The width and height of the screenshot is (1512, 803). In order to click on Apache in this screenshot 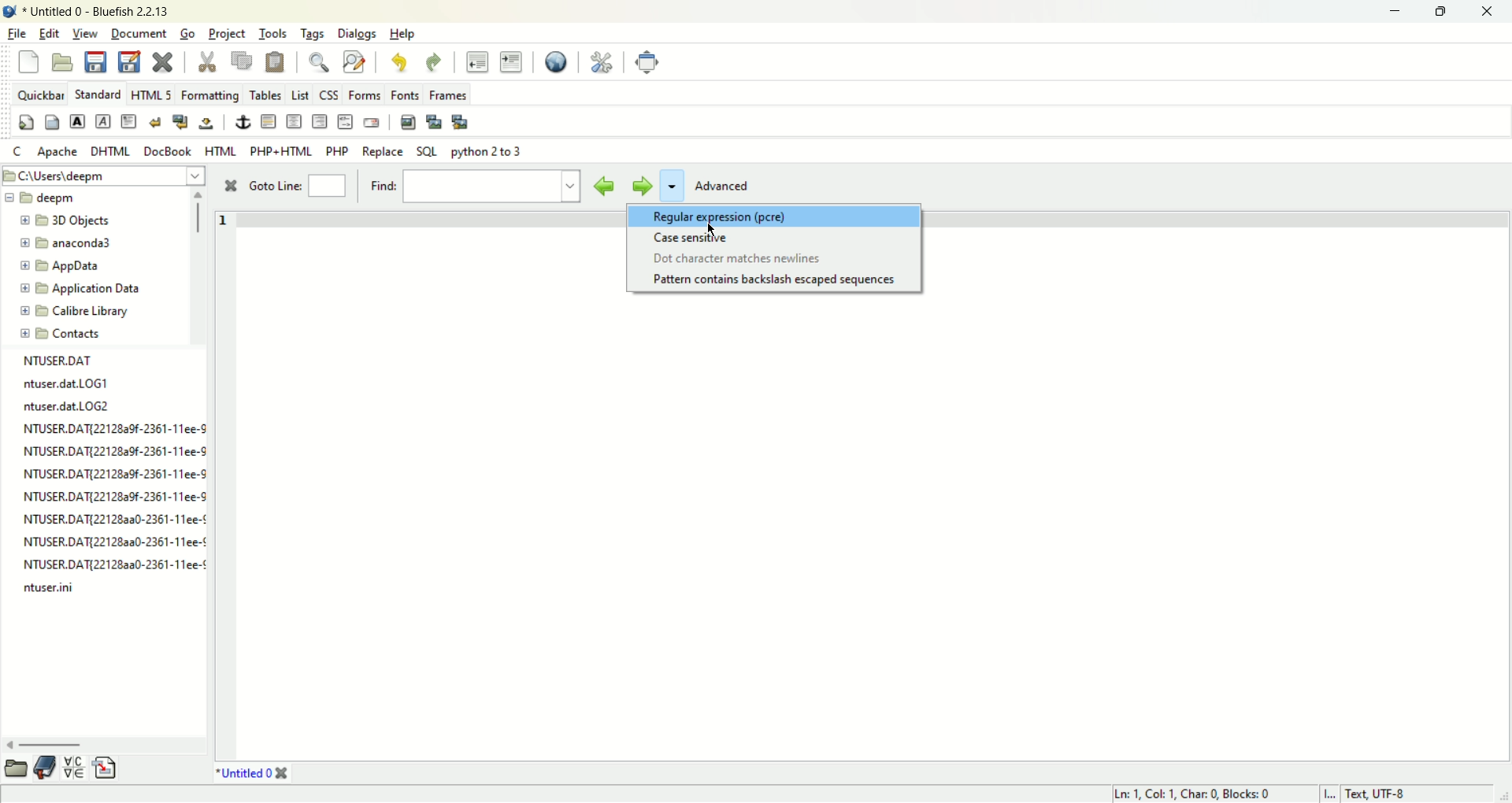, I will do `click(57, 150)`.